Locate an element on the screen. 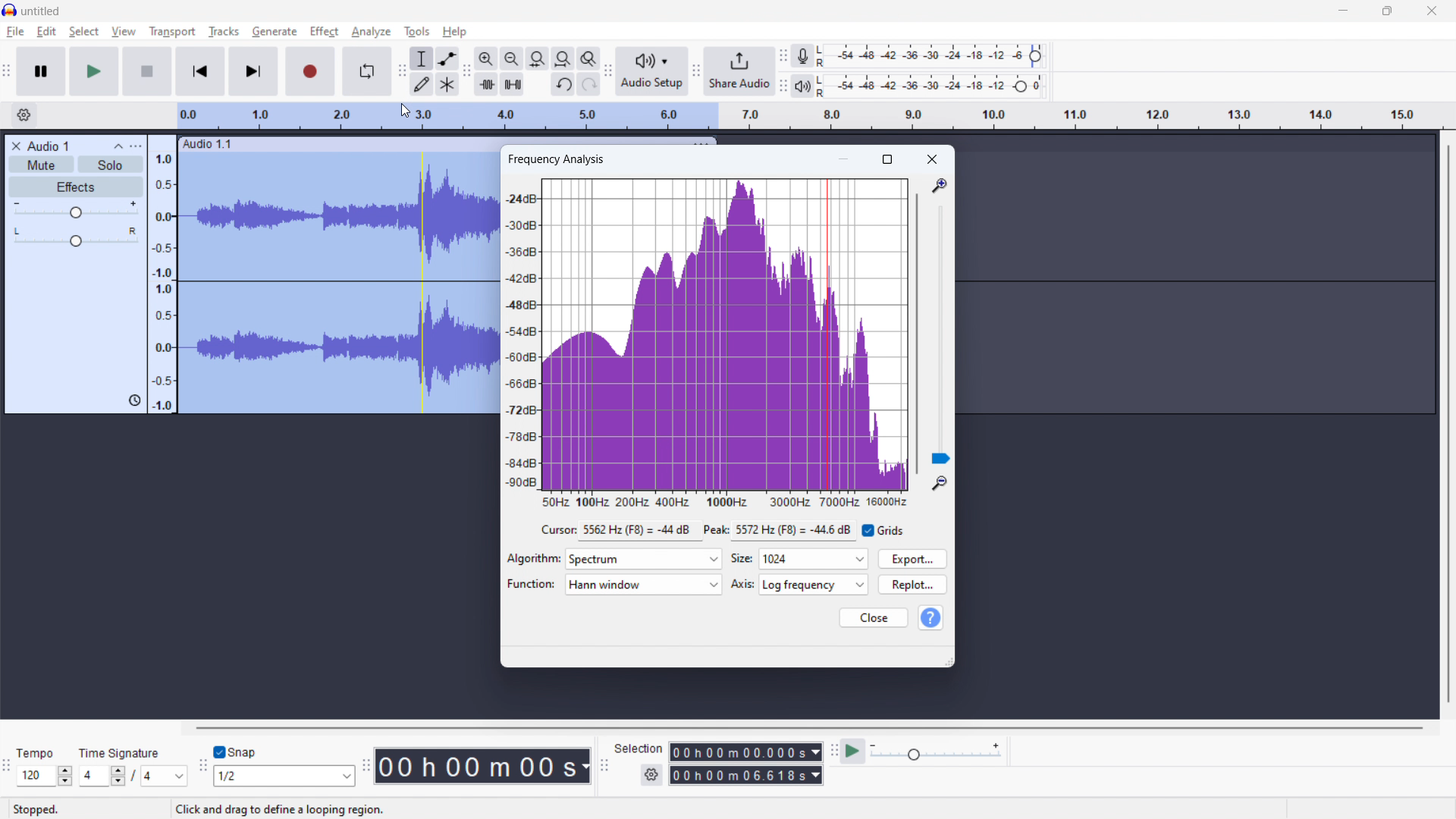 The width and height of the screenshot is (1456, 819). timeline settings is located at coordinates (24, 115).